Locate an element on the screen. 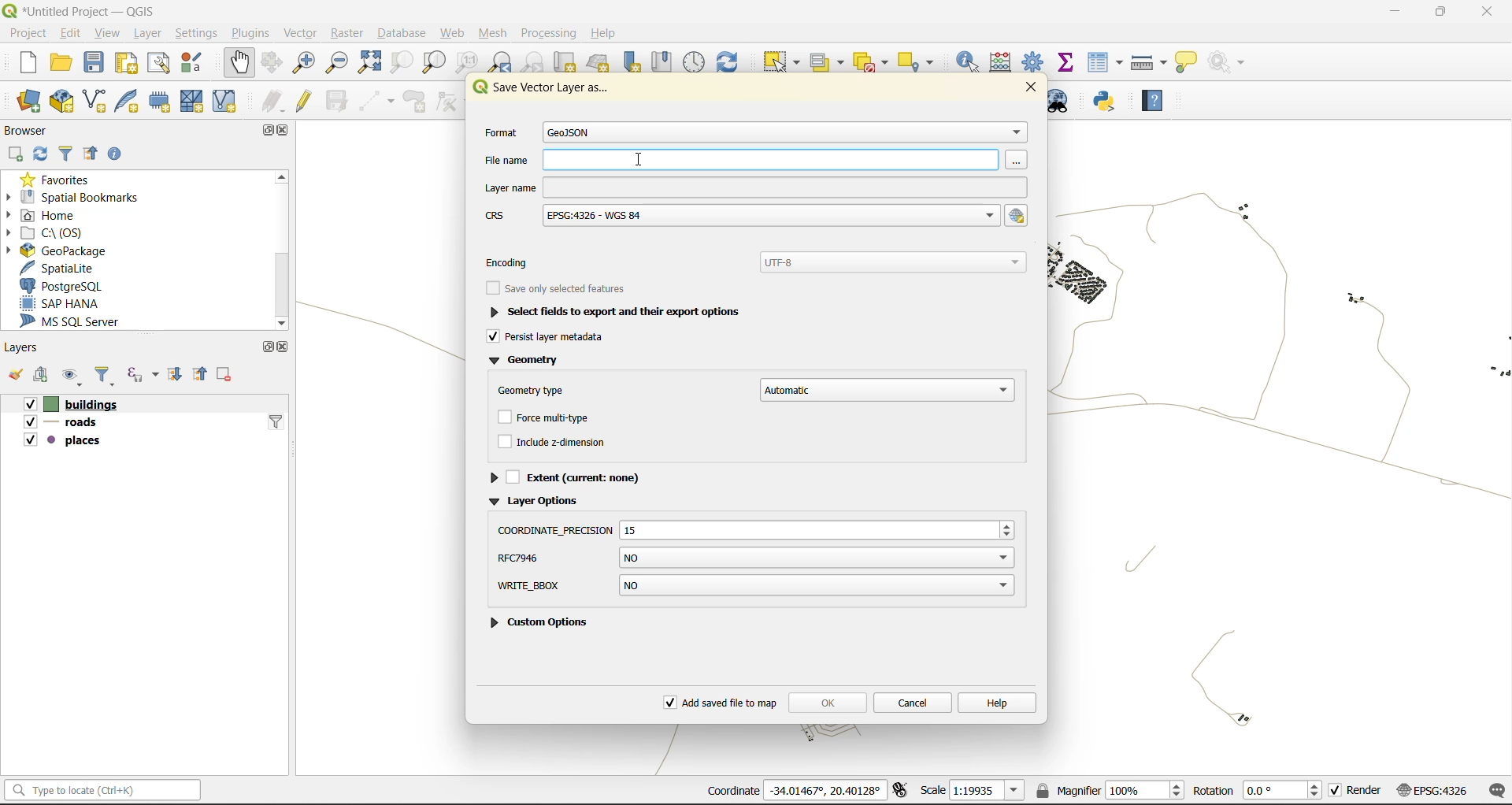  style manager is located at coordinates (192, 65).